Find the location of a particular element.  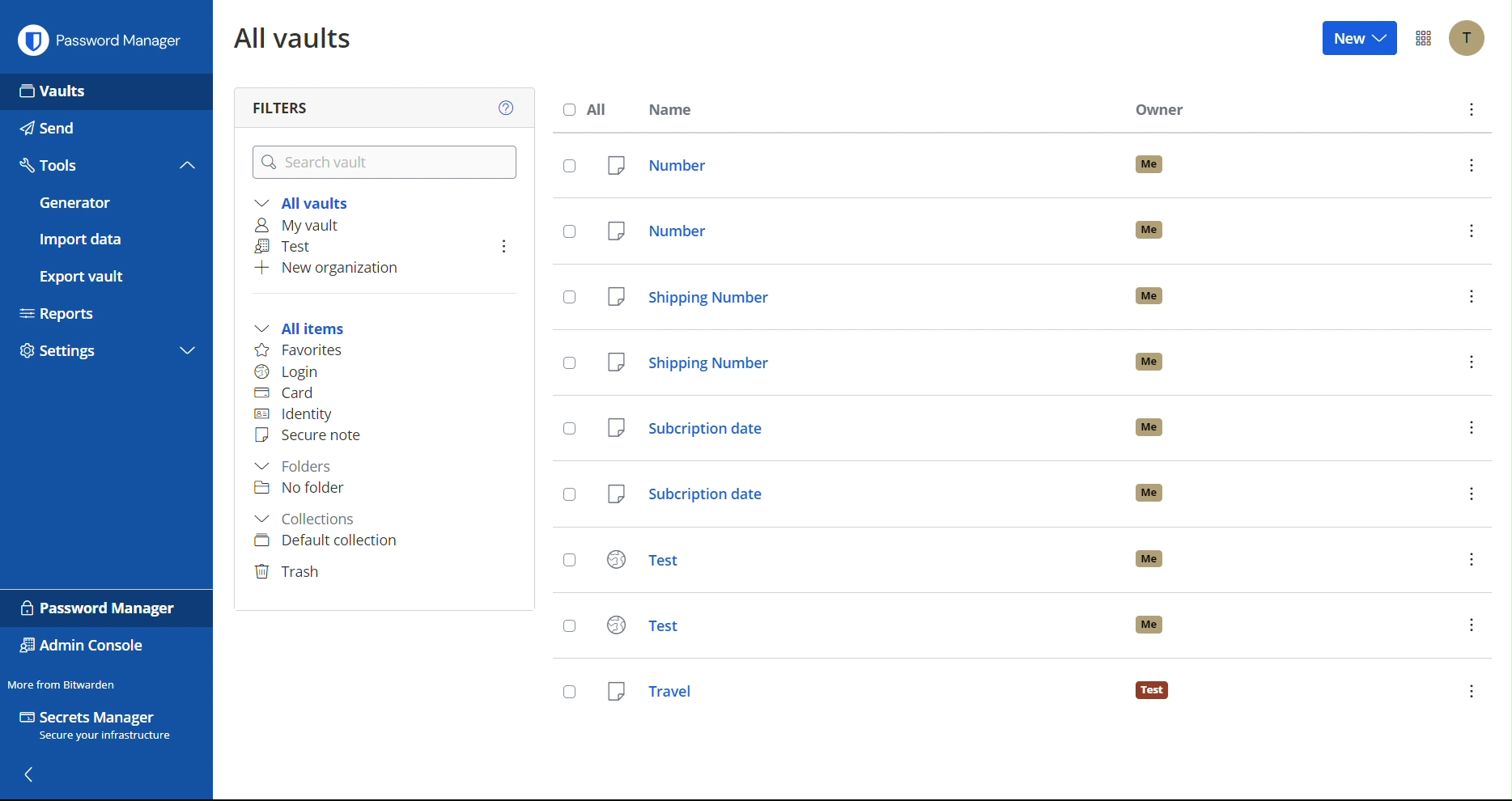

Reports is located at coordinates (104, 311).